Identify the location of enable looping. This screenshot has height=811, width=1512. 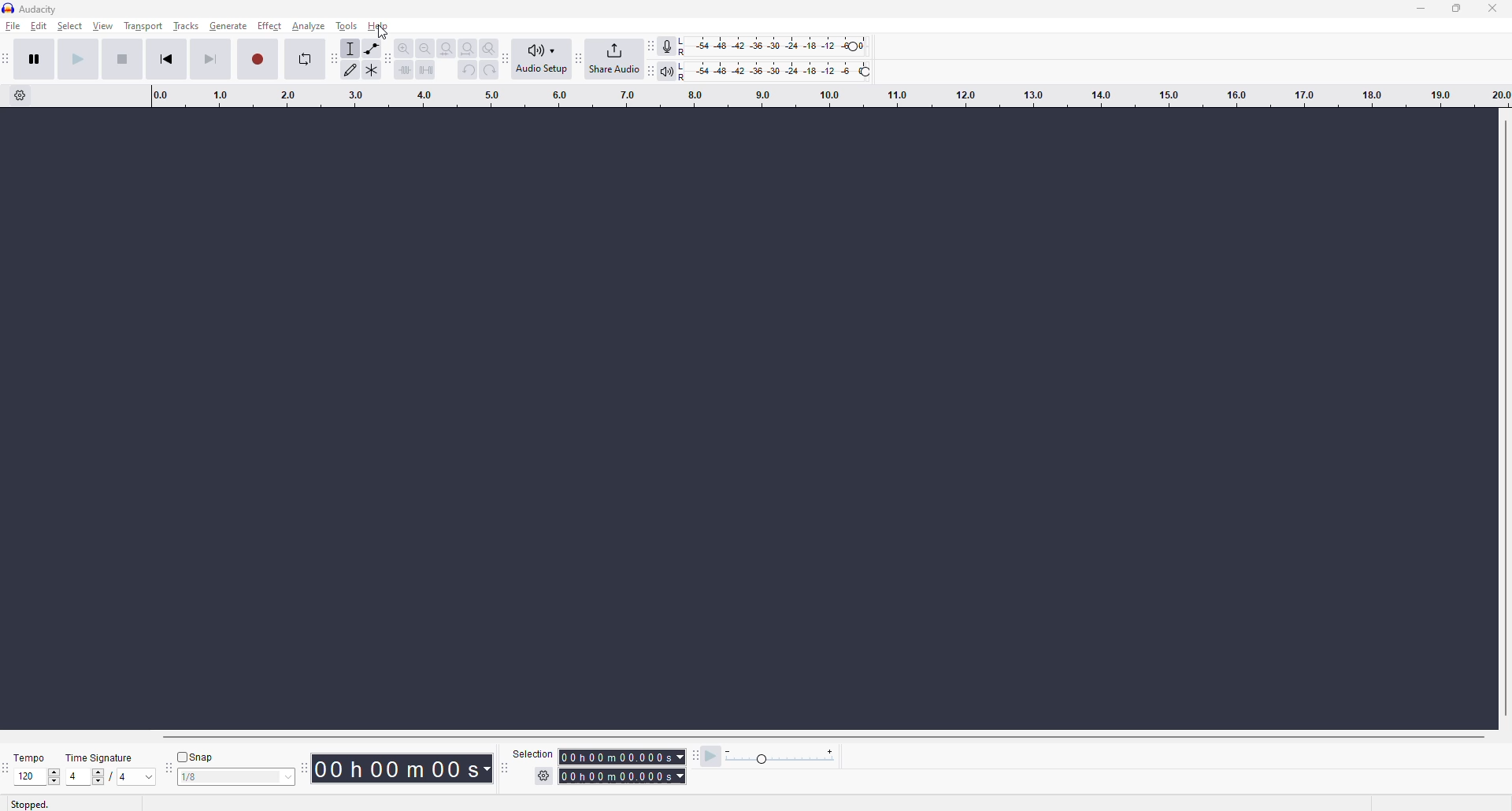
(303, 60).